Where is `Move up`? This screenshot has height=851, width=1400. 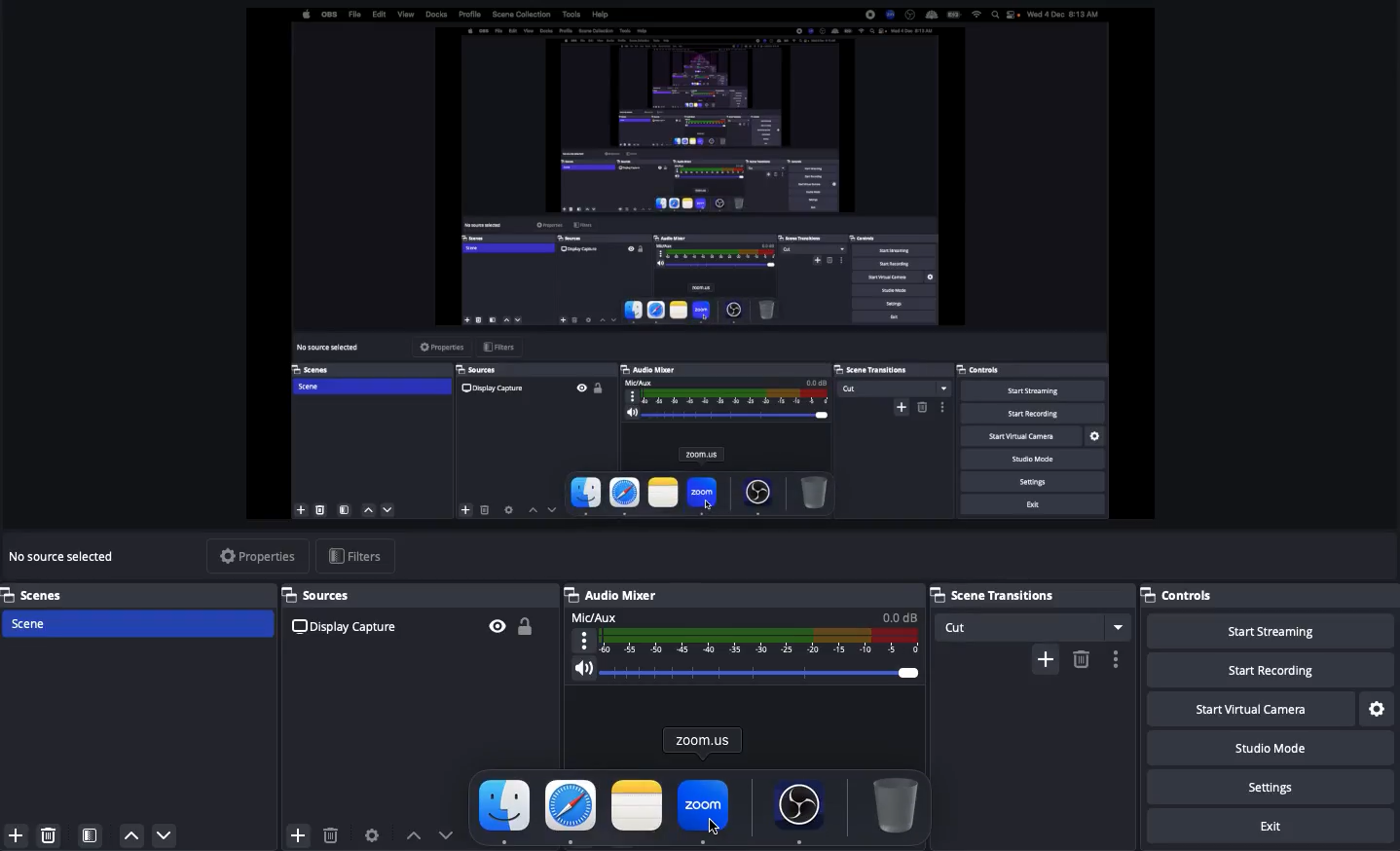 Move up is located at coordinates (131, 836).